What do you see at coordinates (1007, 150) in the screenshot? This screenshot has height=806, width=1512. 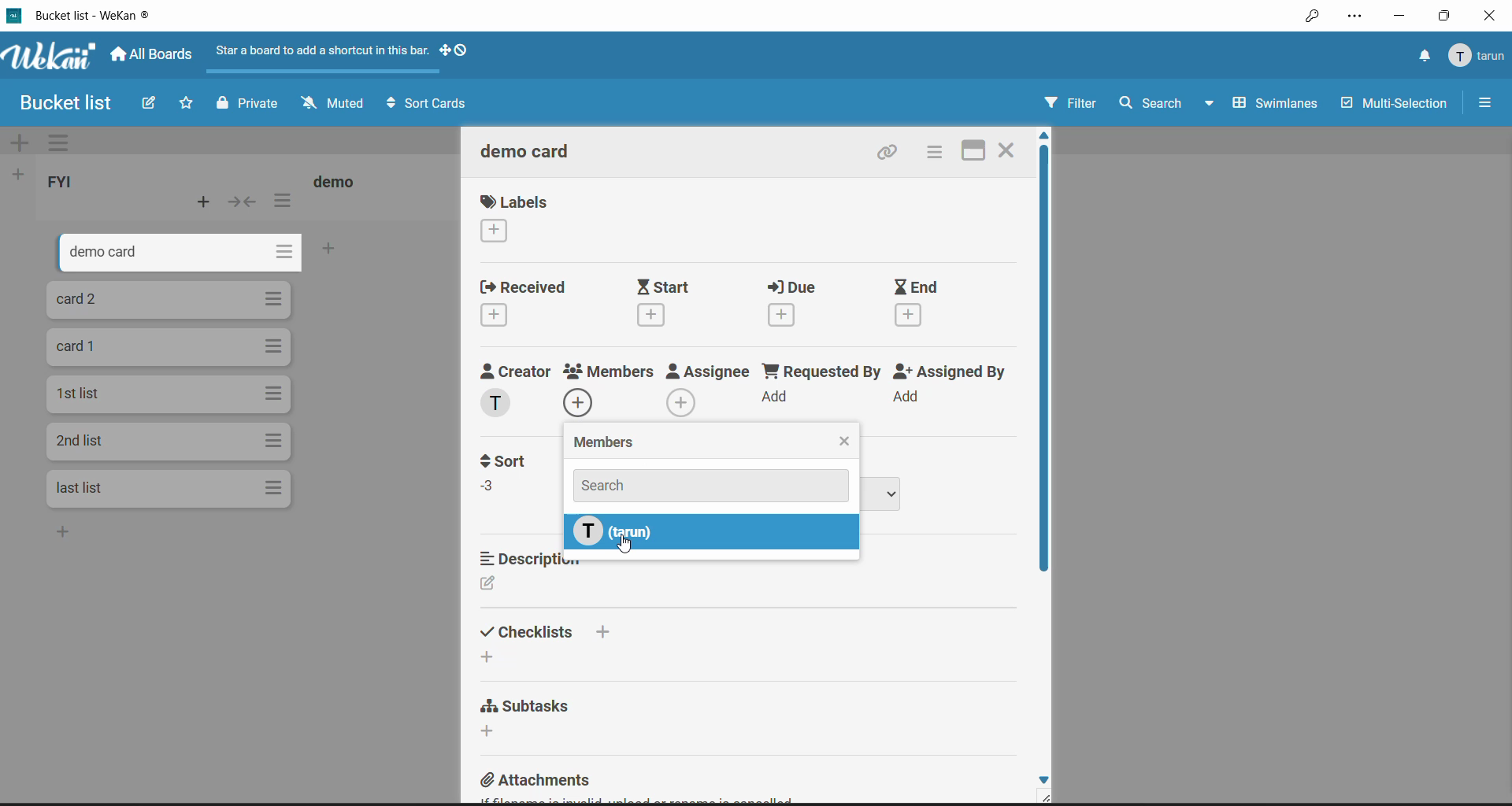 I see `close card` at bounding box center [1007, 150].